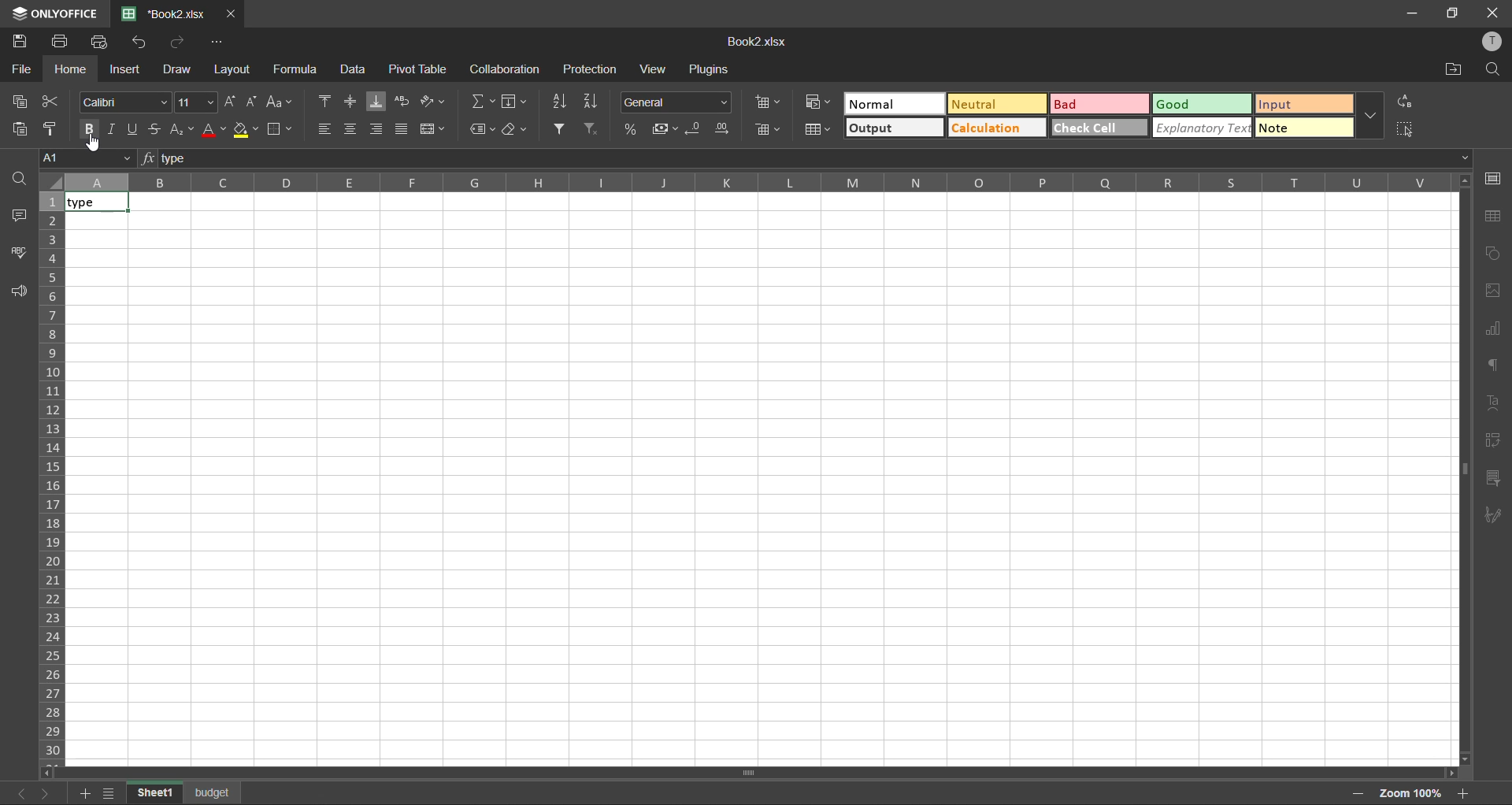 This screenshot has height=805, width=1512. Describe the element at coordinates (51, 102) in the screenshot. I see `cut` at that location.